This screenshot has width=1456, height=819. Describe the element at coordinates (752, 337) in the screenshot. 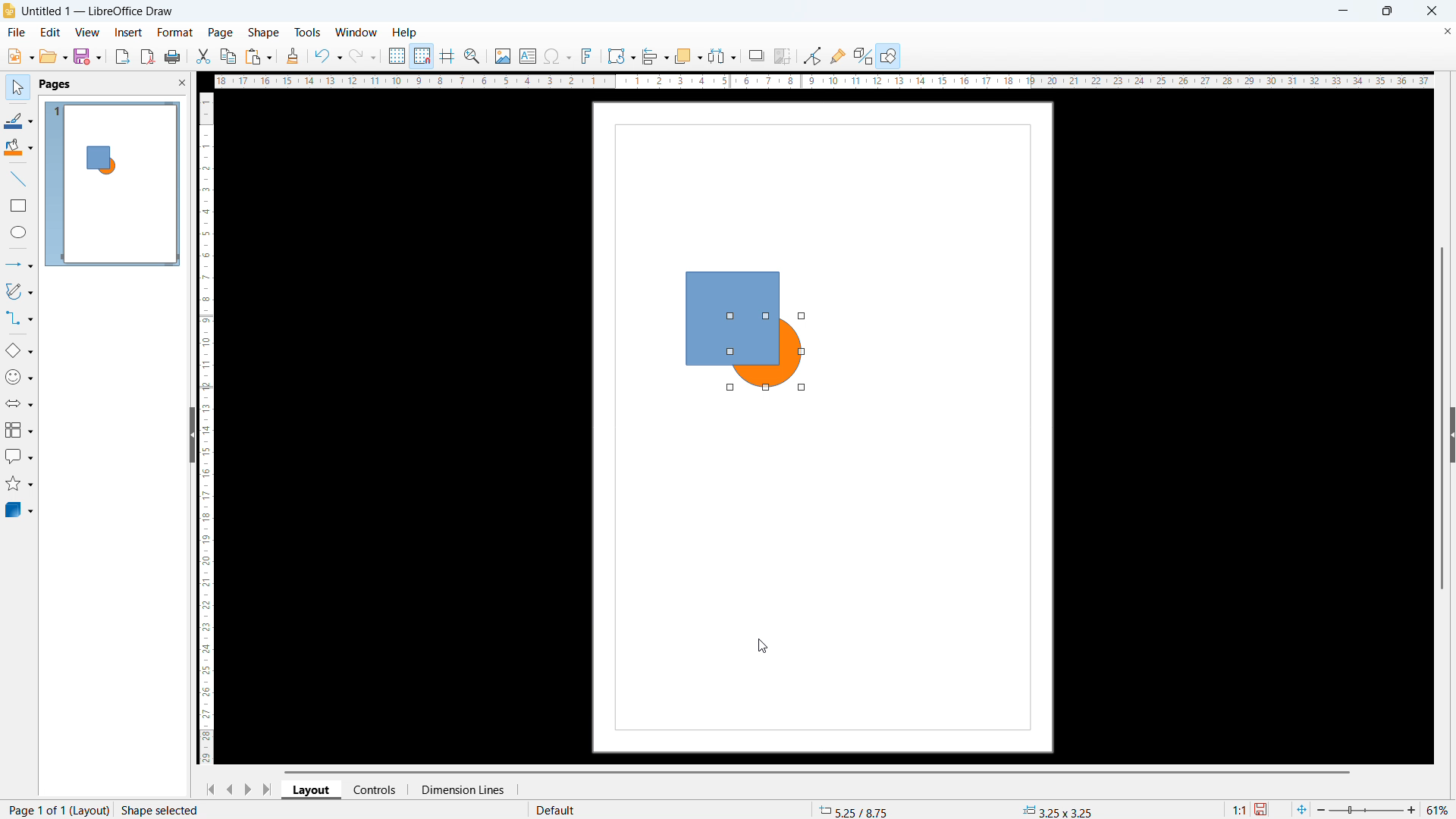

I see `selected object` at that location.